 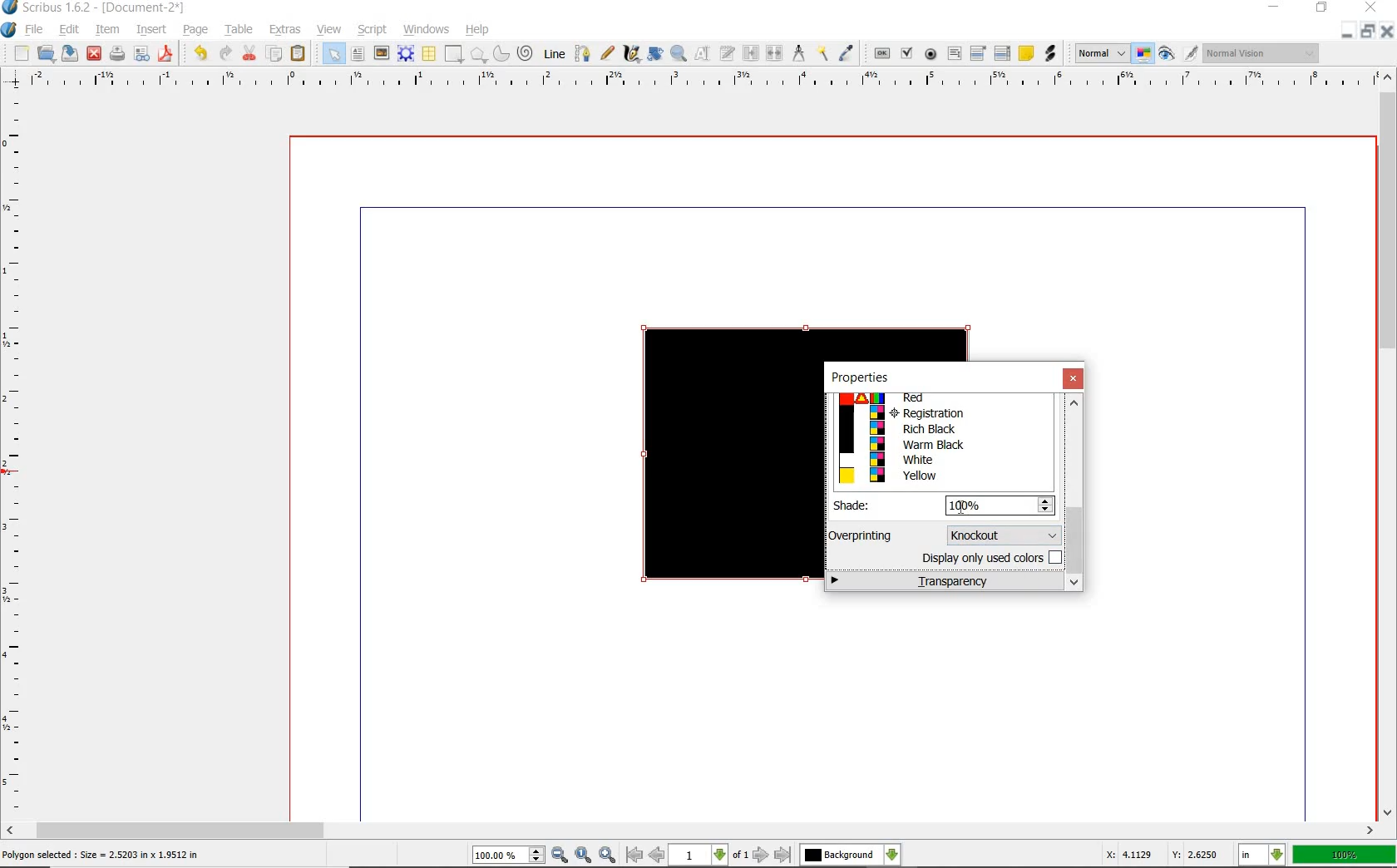 What do you see at coordinates (1074, 379) in the screenshot?
I see `close` at bounding box center [1074, 379].